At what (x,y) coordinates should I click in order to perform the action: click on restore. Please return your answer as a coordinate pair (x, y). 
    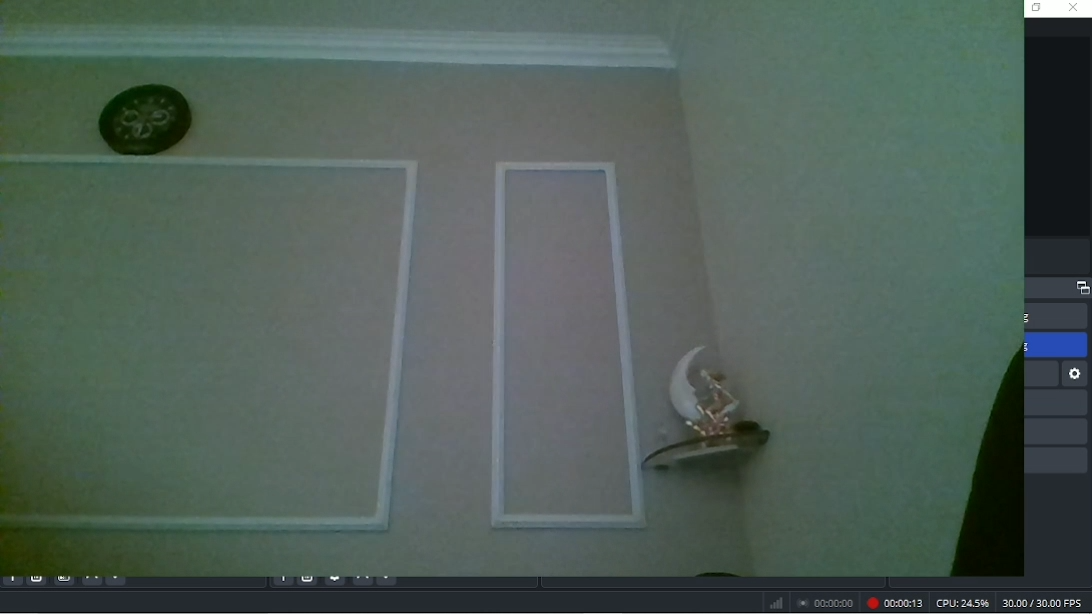
    Looking at the image, I should click on (1040, 10).